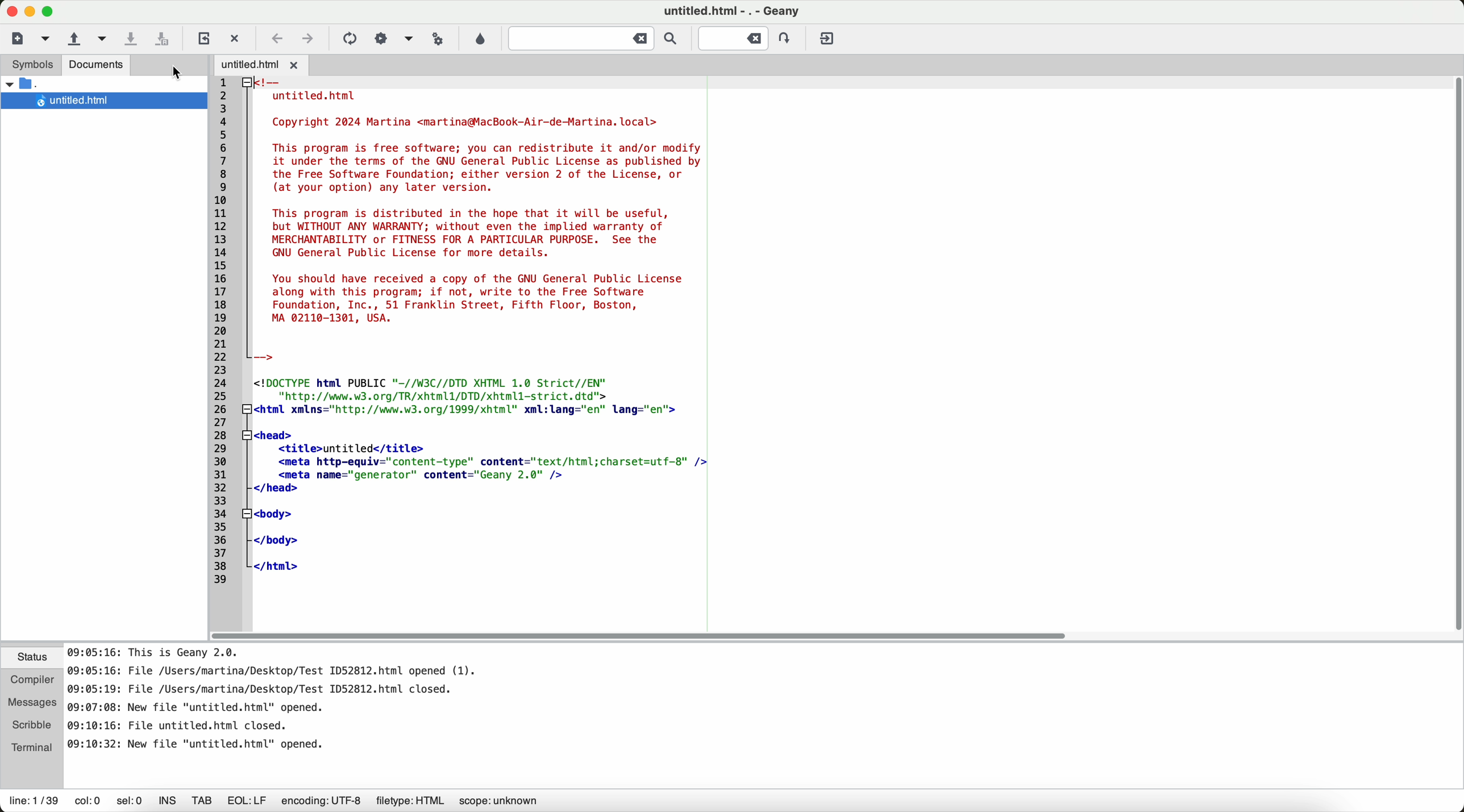 This screenshot has height=812, width=1464. Describe the element at coordinates (350, 40) in the screenshot. I see `compile the current file` at that location.